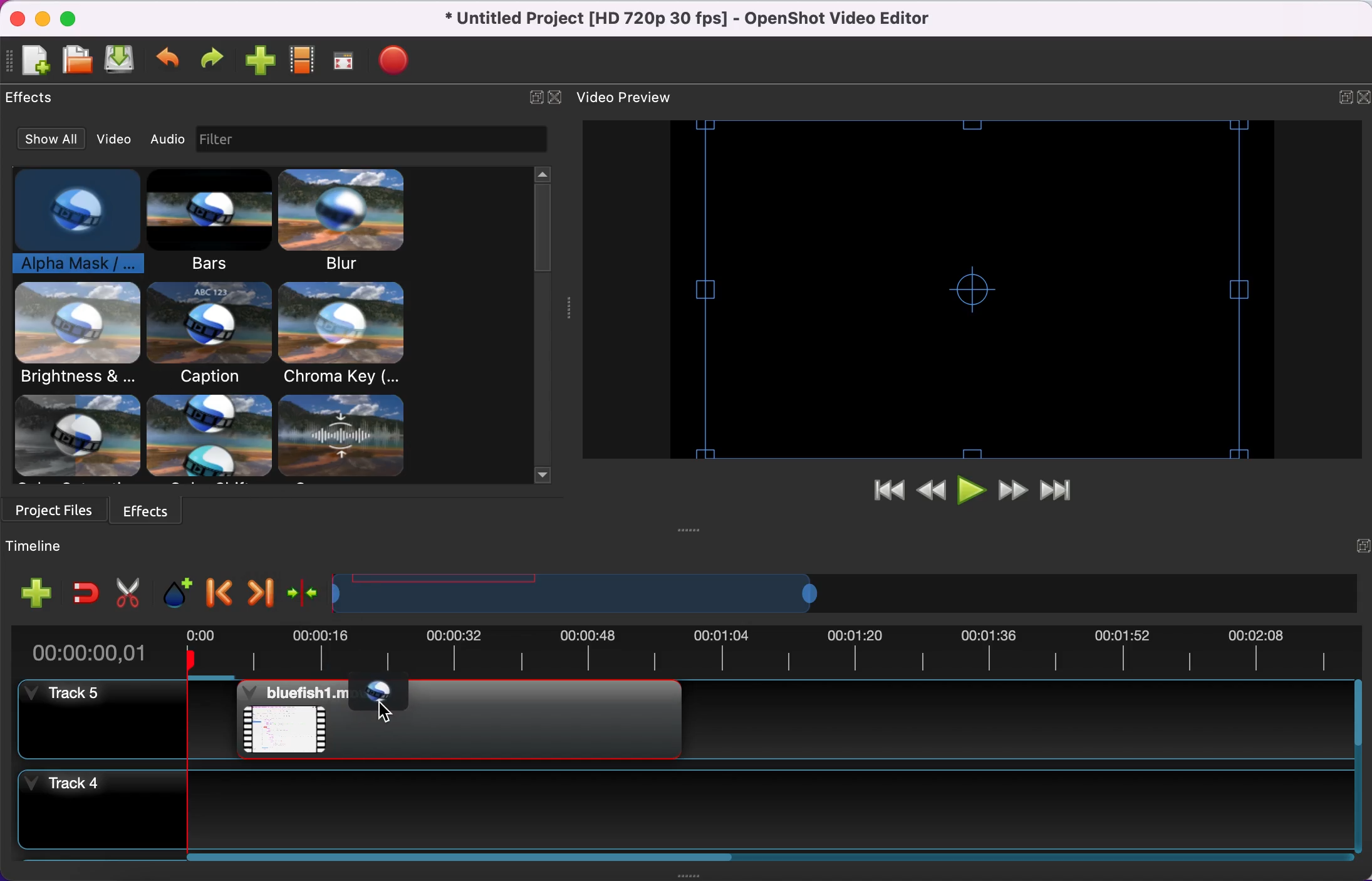 The height and width of the screenshot is (881, 1372). What do you see at coordinates (33, 595) in the screenshot?
I see `add track` at bounding box center [33, 595].